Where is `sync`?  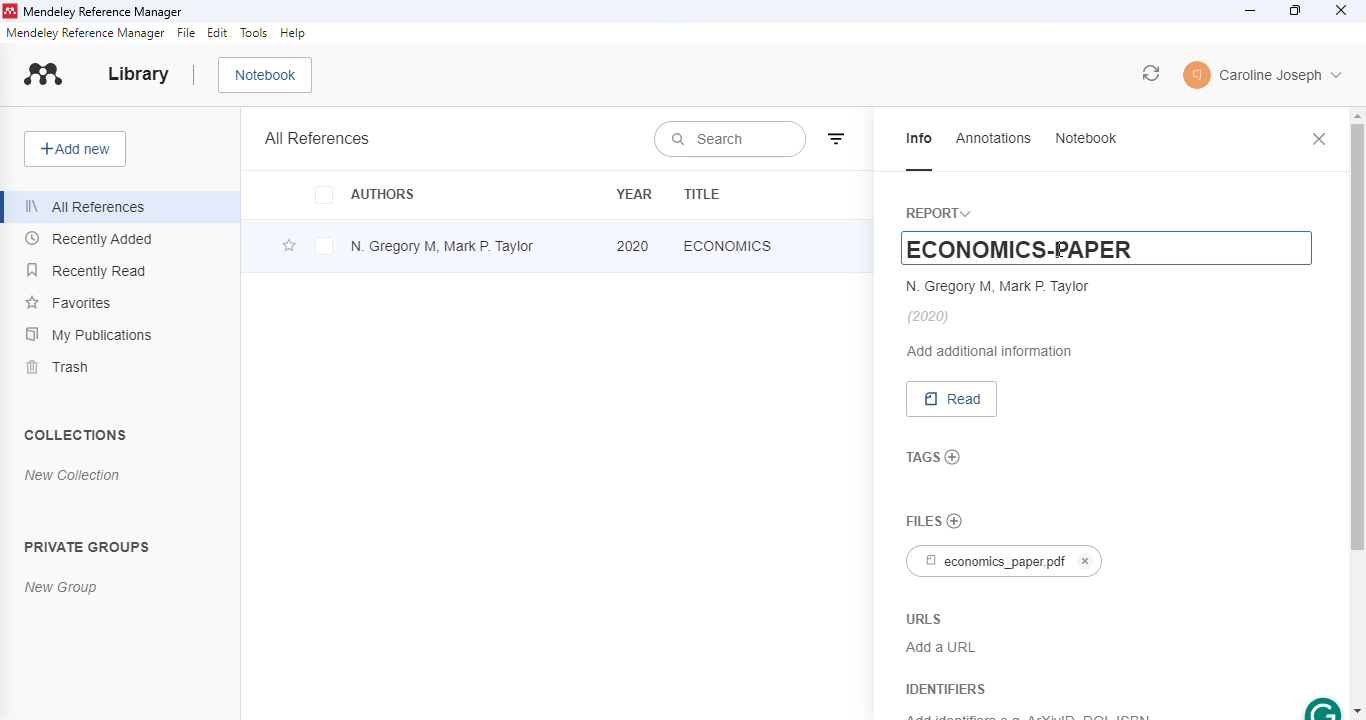 sync is located at coordinates (1151, 74).